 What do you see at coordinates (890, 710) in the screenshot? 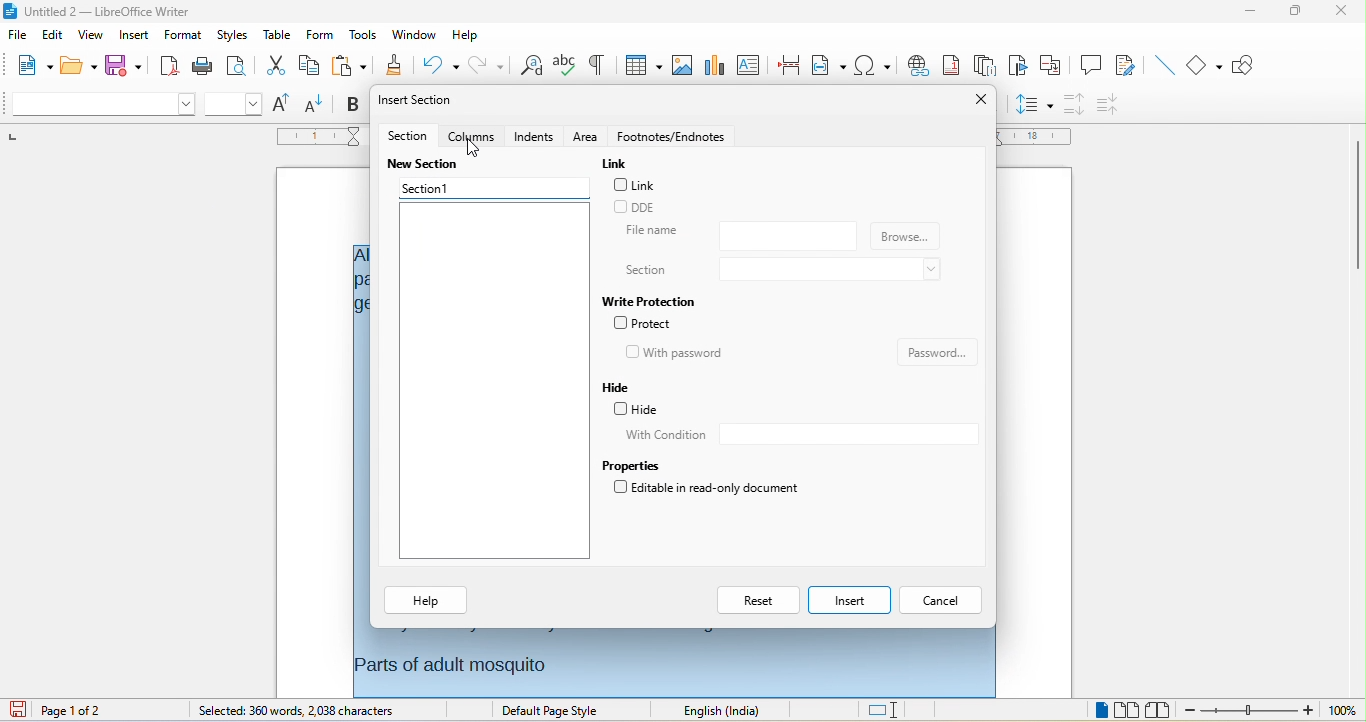
I see `standard selection` at bounding box center [890, 710].